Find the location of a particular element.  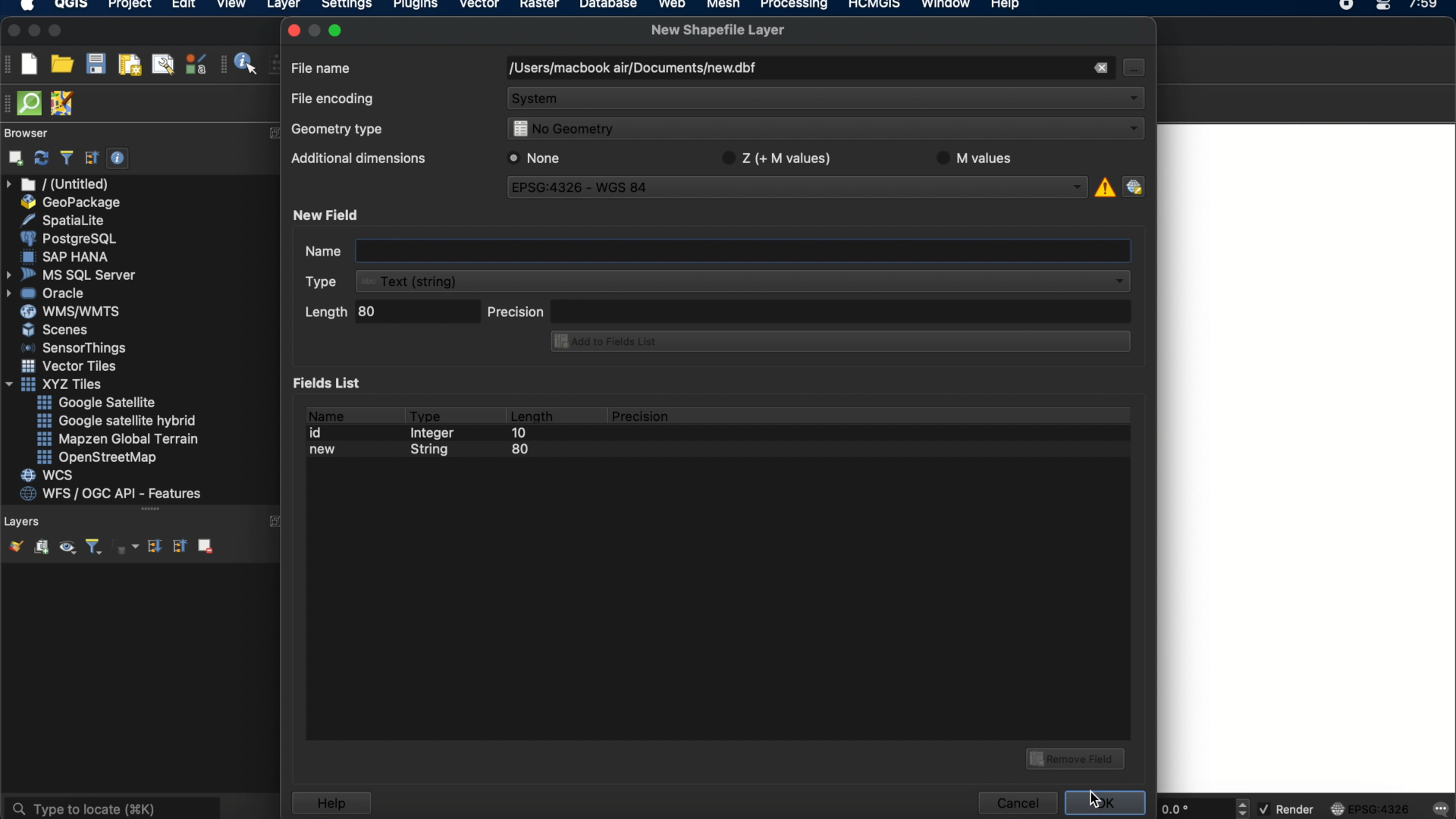

raster is located at coordinates (538, 6).